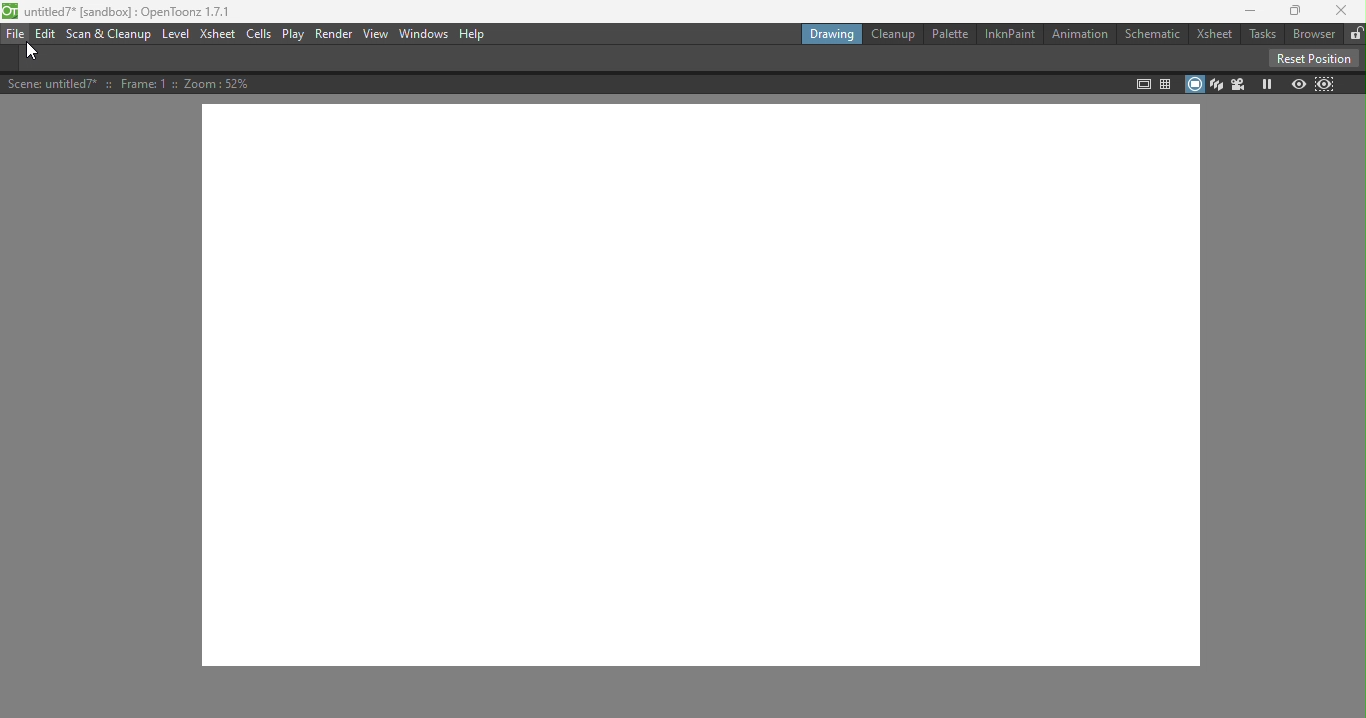 This screenshot has height=718, width=1366. What do you see at coordinates (1297, 83) in the screenshot?
I see `Preview` at bounding box center [1297, 83].